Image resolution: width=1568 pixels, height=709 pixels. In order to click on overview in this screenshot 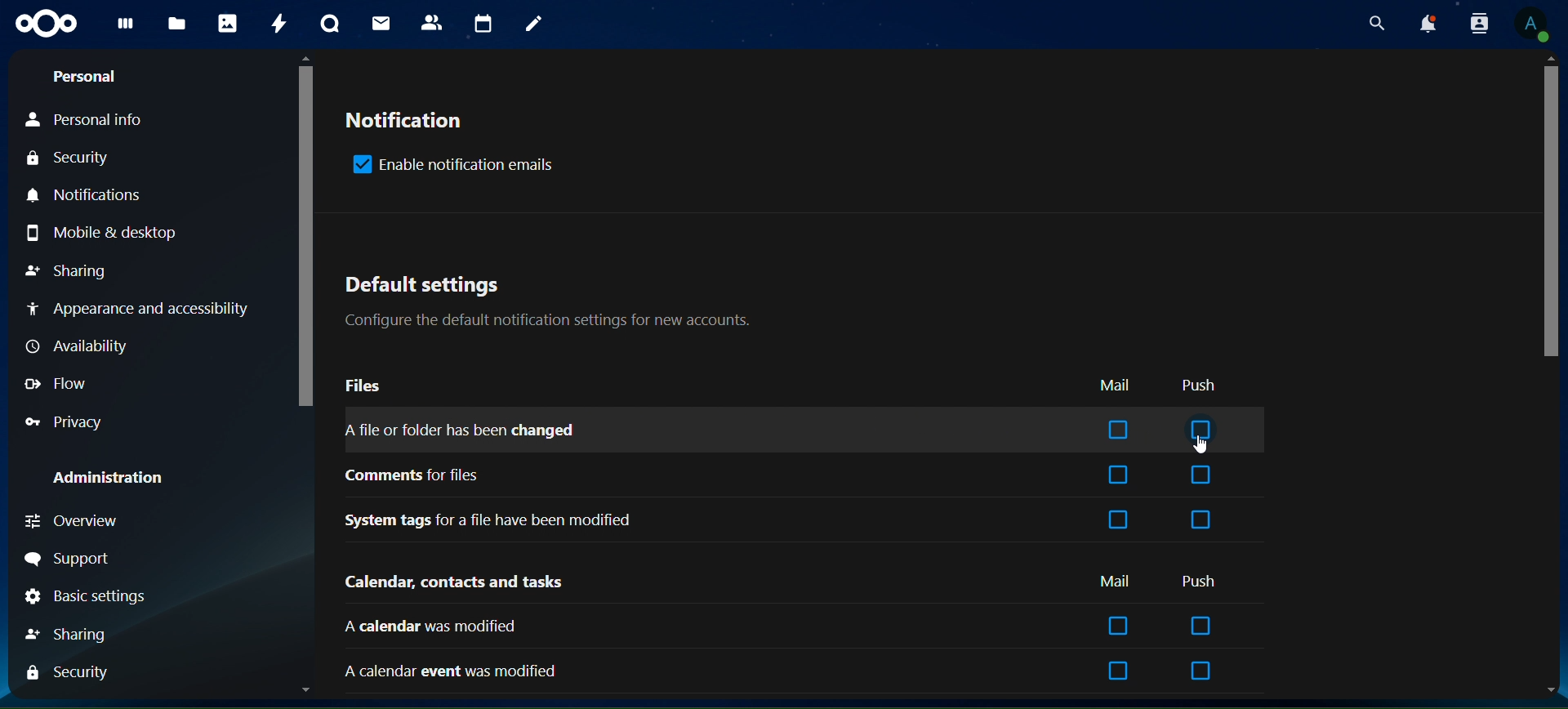, I will do `click(95, 519)`.